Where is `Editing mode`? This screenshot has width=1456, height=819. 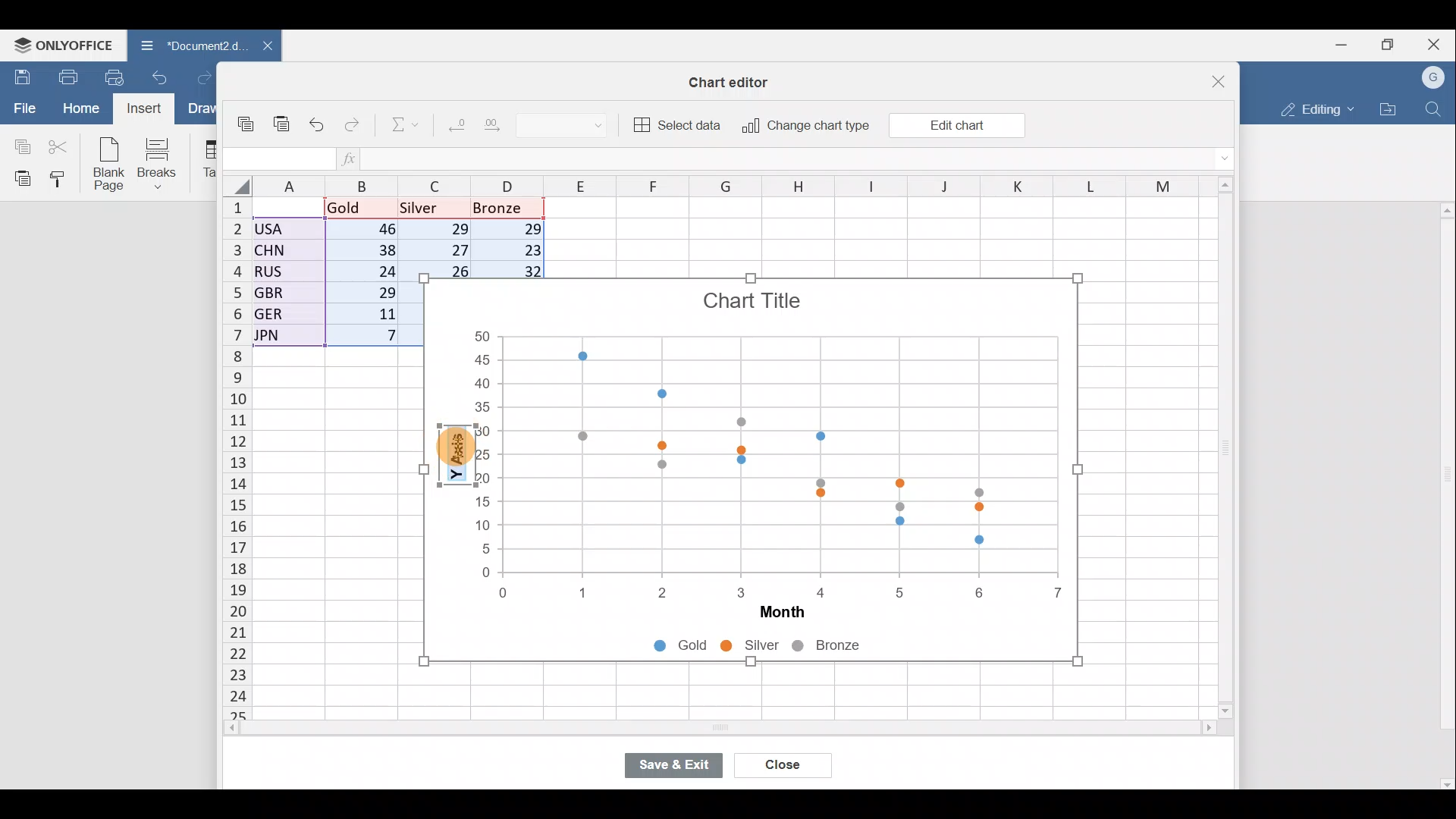
Editing mode is located at coordinates (1313, 109).